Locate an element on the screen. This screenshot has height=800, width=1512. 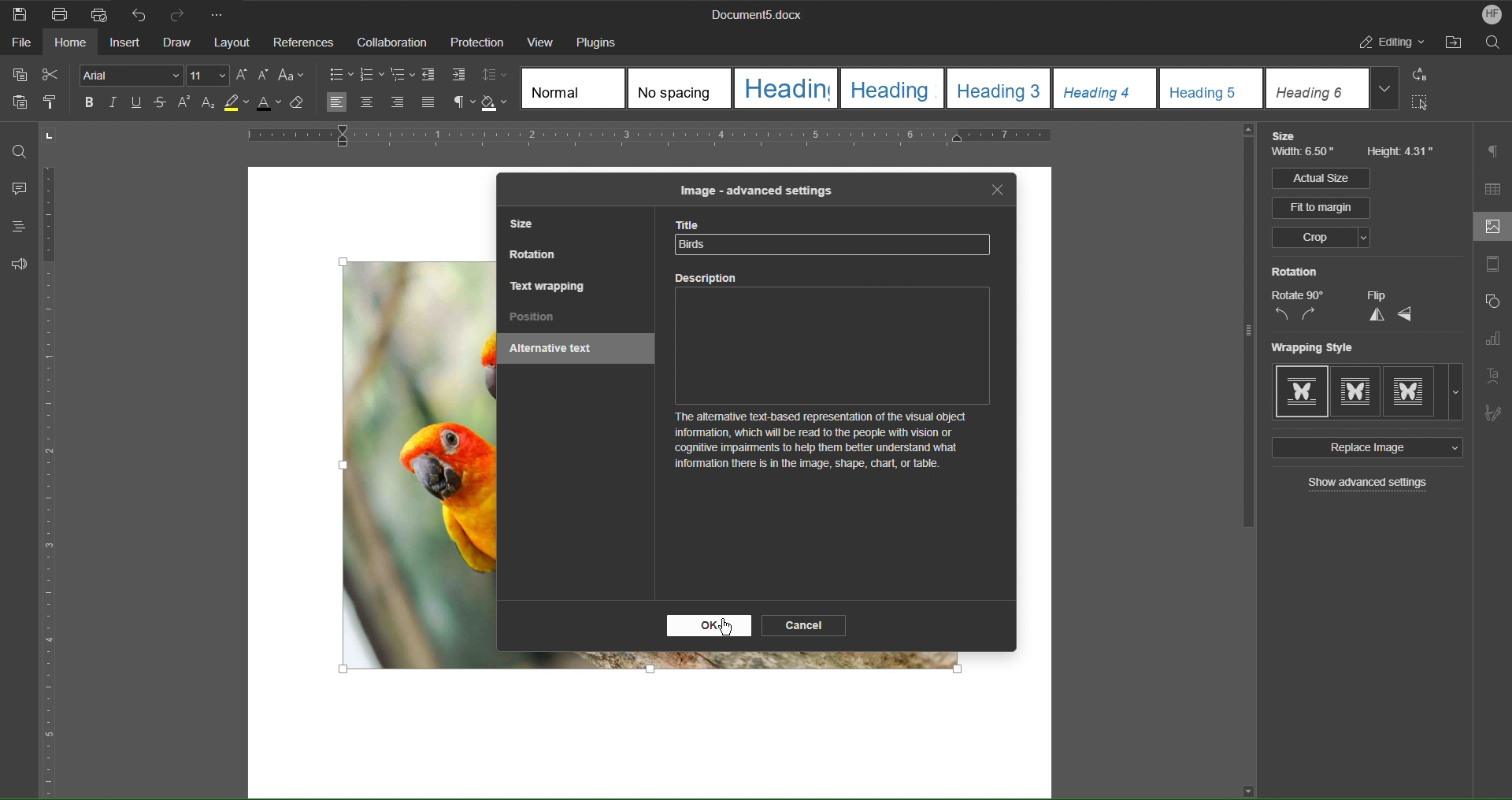
More is located at coordinates (221, 13).